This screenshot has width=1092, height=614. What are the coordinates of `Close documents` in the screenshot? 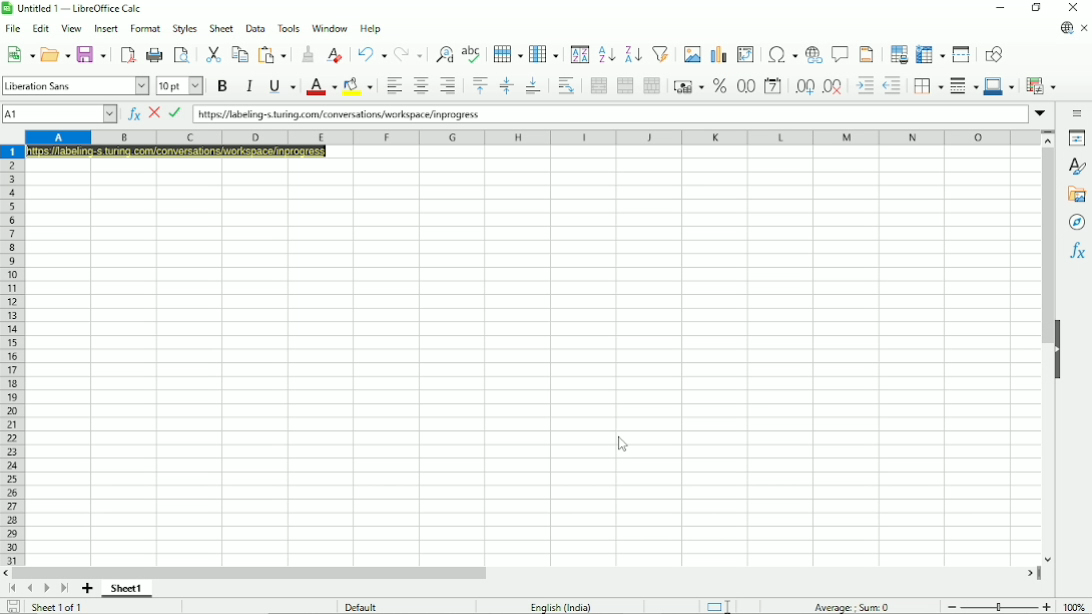 It's located at (1084, 29).